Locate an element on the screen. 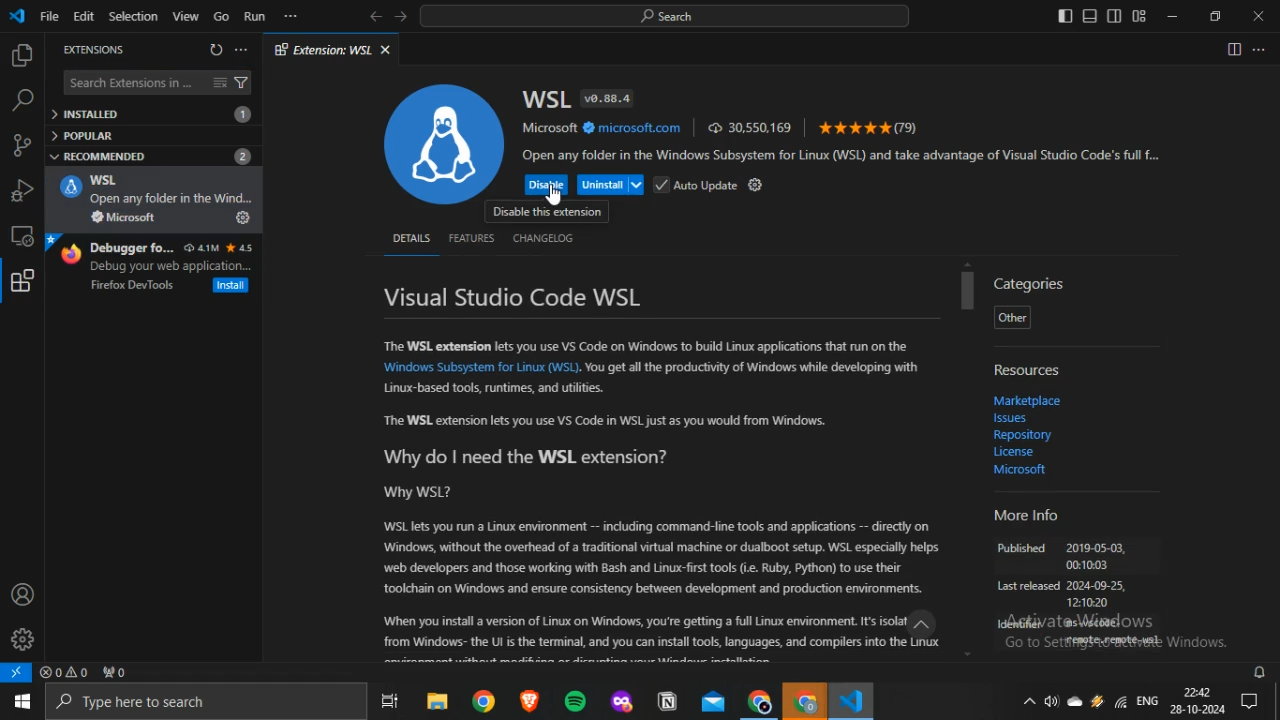 This screenshot has width=1280, height=720. customize layout is located at coordinates (1139, 16).